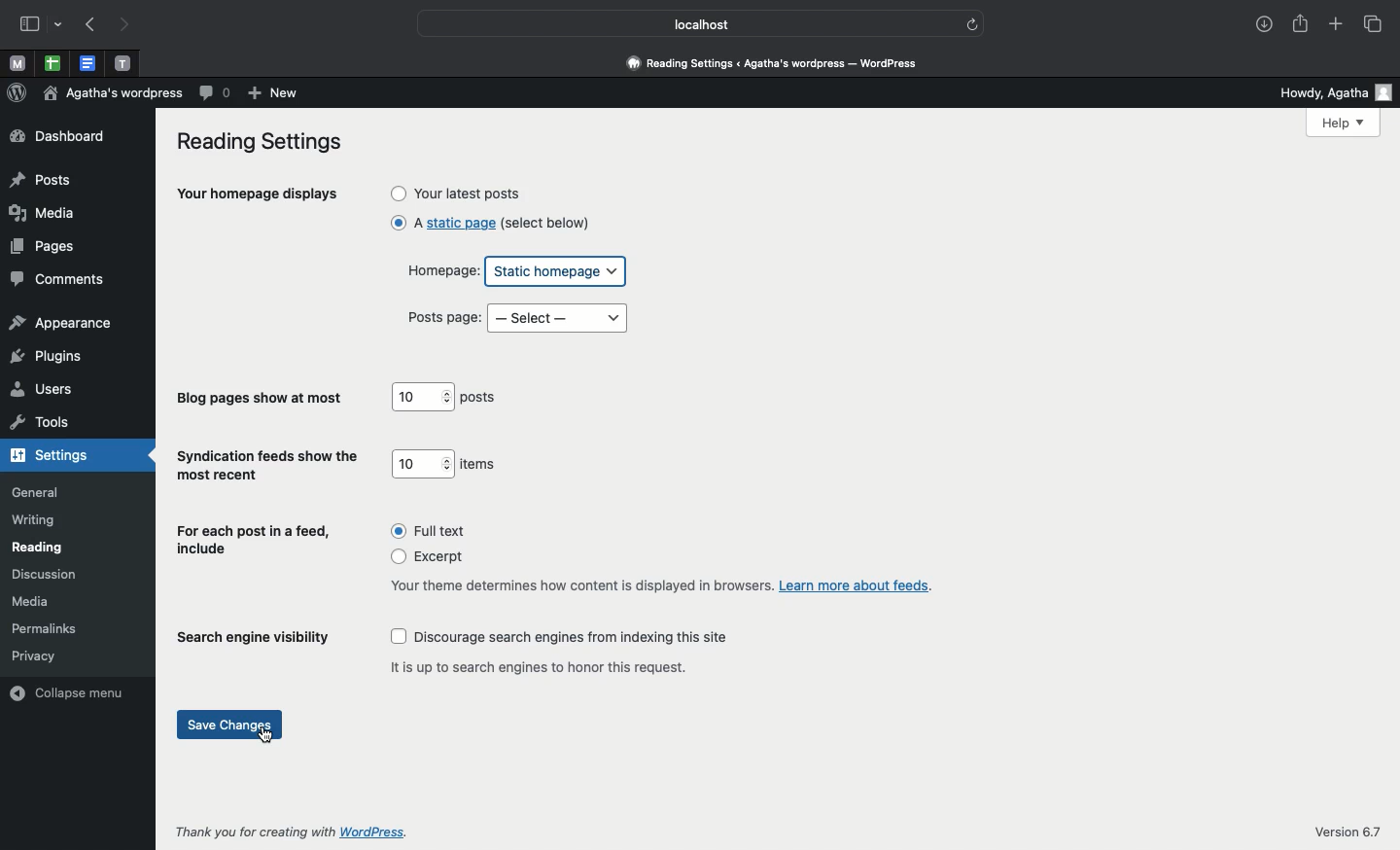  Describe the element at coordinates (127, 26) in the screenshot. I see `Next page` at that location.